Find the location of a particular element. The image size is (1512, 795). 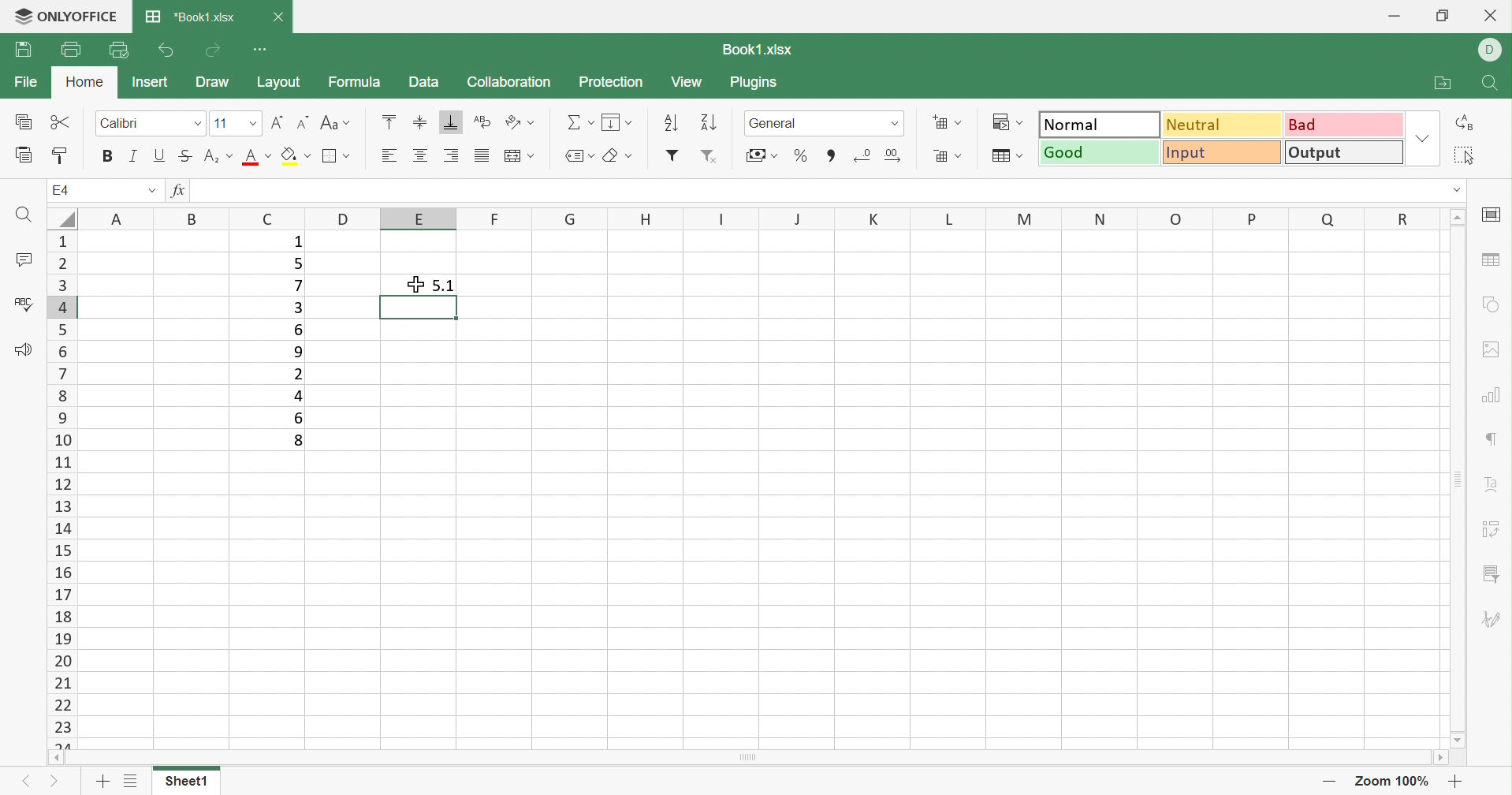

Home is located at coordinates (86, 82).